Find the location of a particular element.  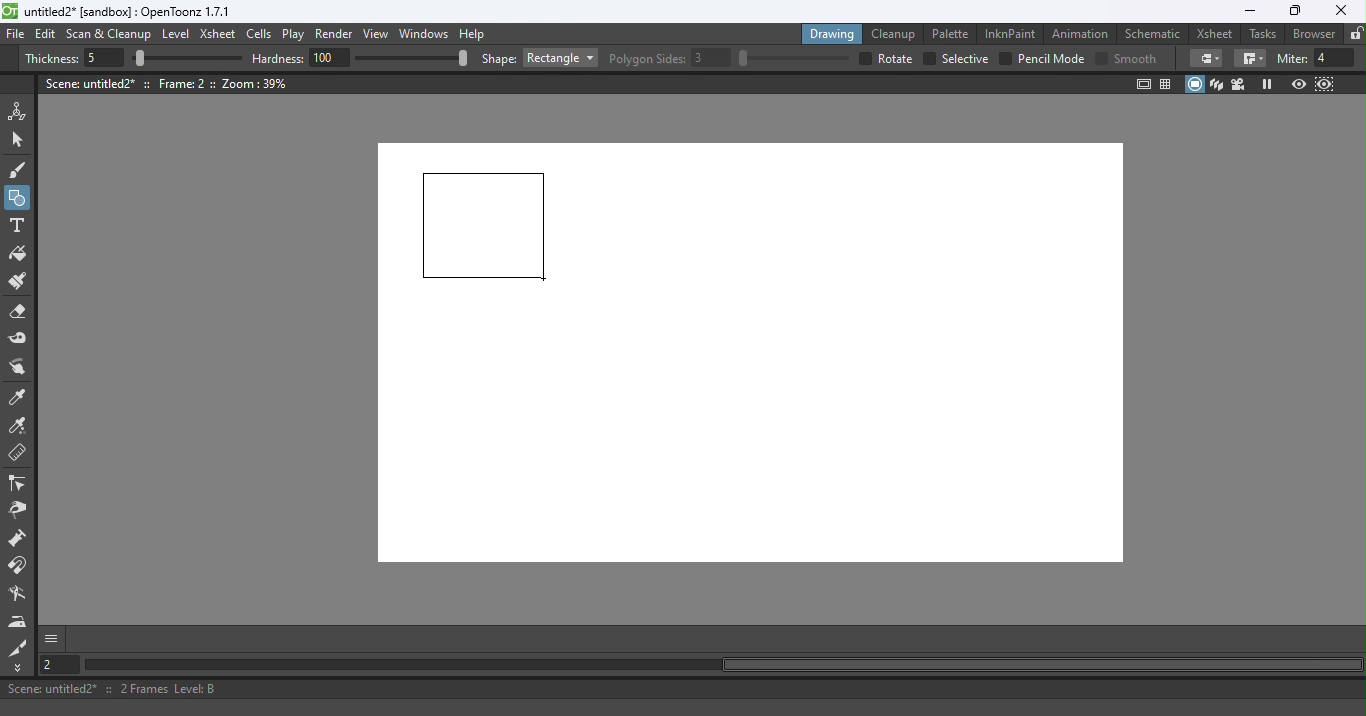

Style picker tool is located at coordinates (19, 398).